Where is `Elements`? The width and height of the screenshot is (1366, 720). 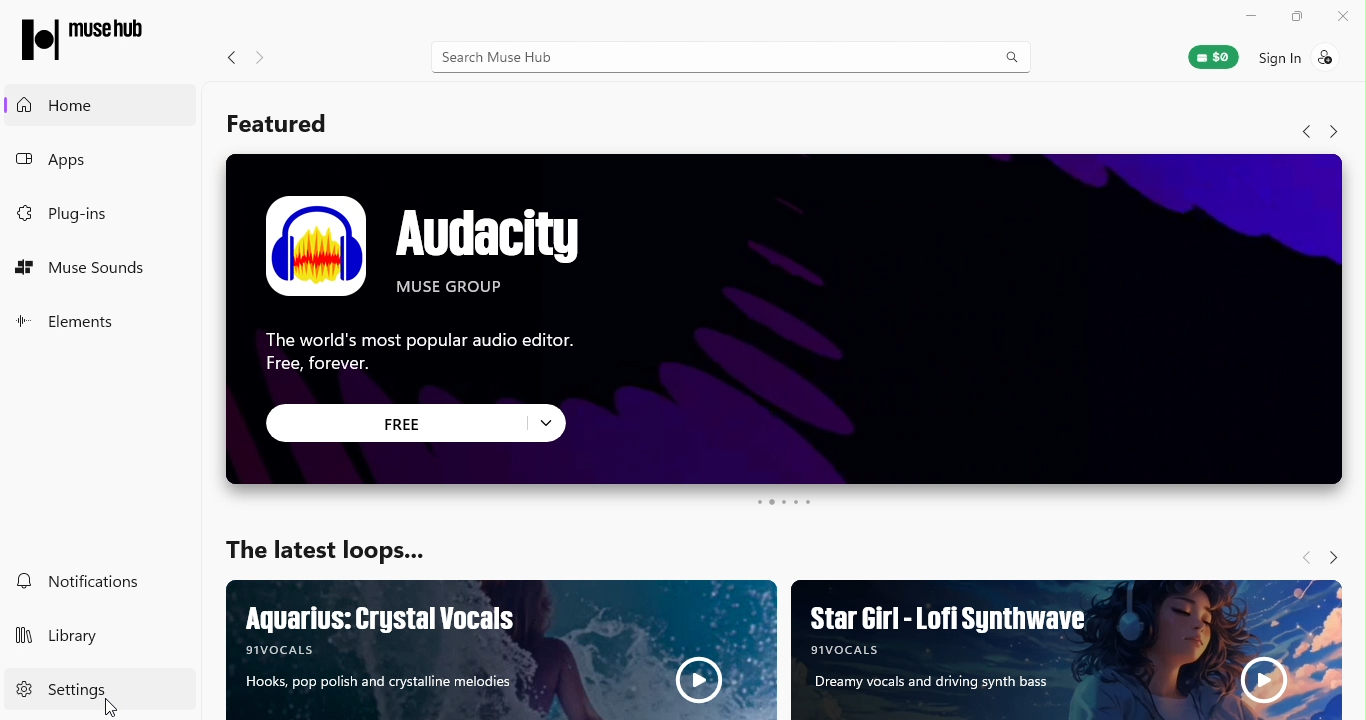
Elements is located at coordinates (69, 319).